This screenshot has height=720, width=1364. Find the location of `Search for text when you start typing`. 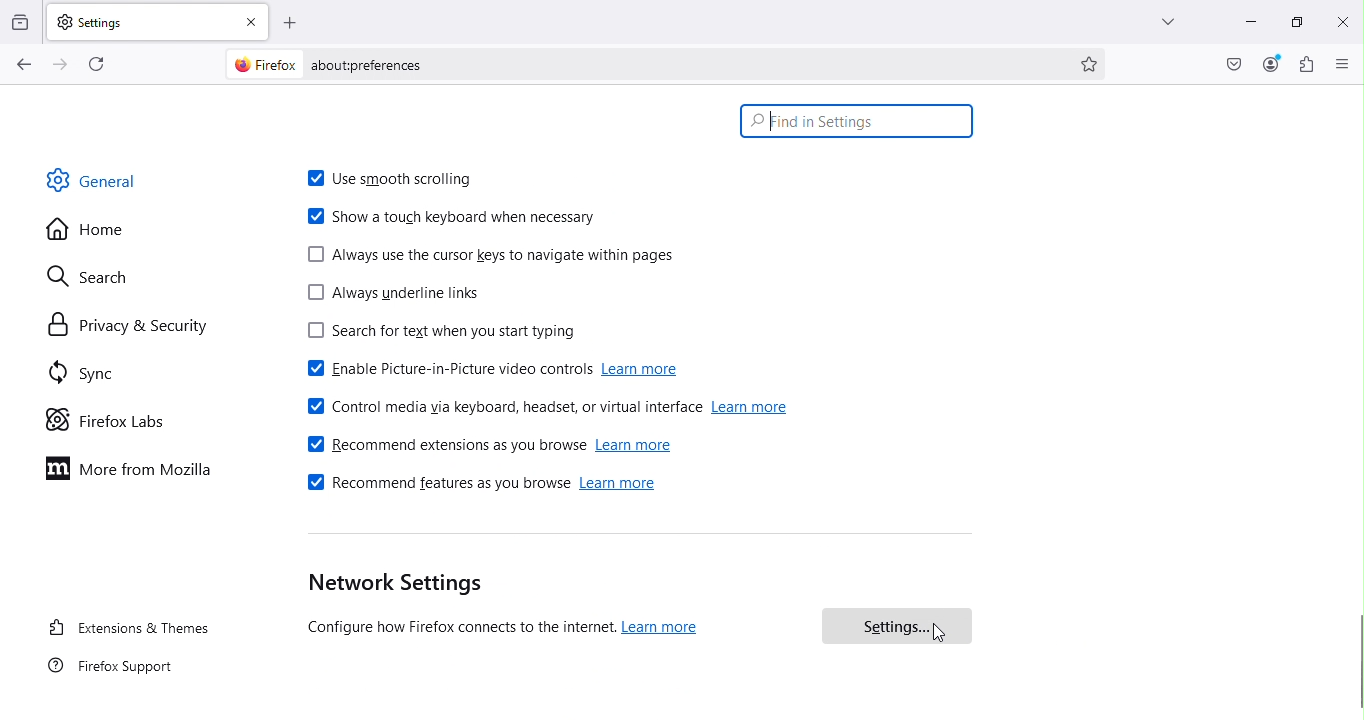

Search for text when you start typing is located at coordinates (435, 334).